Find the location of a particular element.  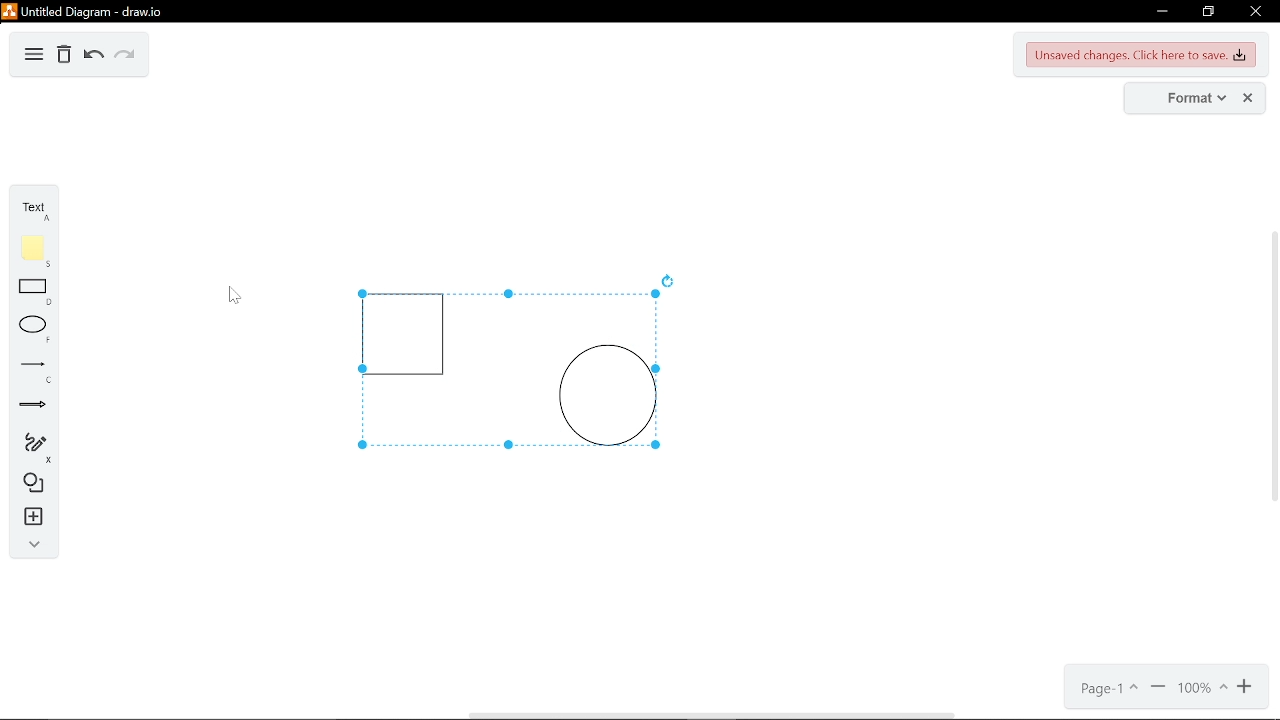

minimize is located at coordinates (1160, 13).